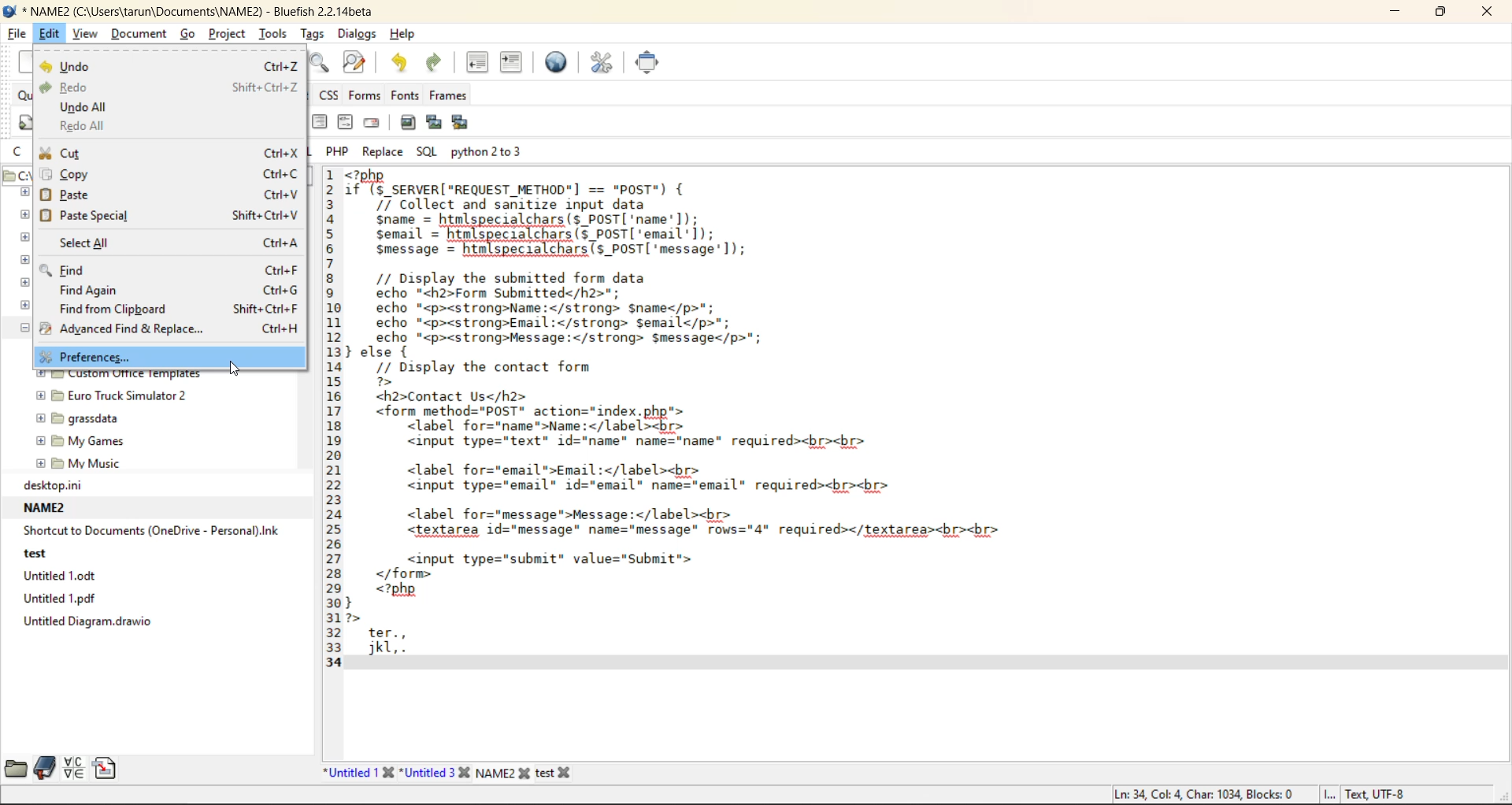  Describe the element at coordinates (482, 63) in the screenshot. I see `unindent` at that location.